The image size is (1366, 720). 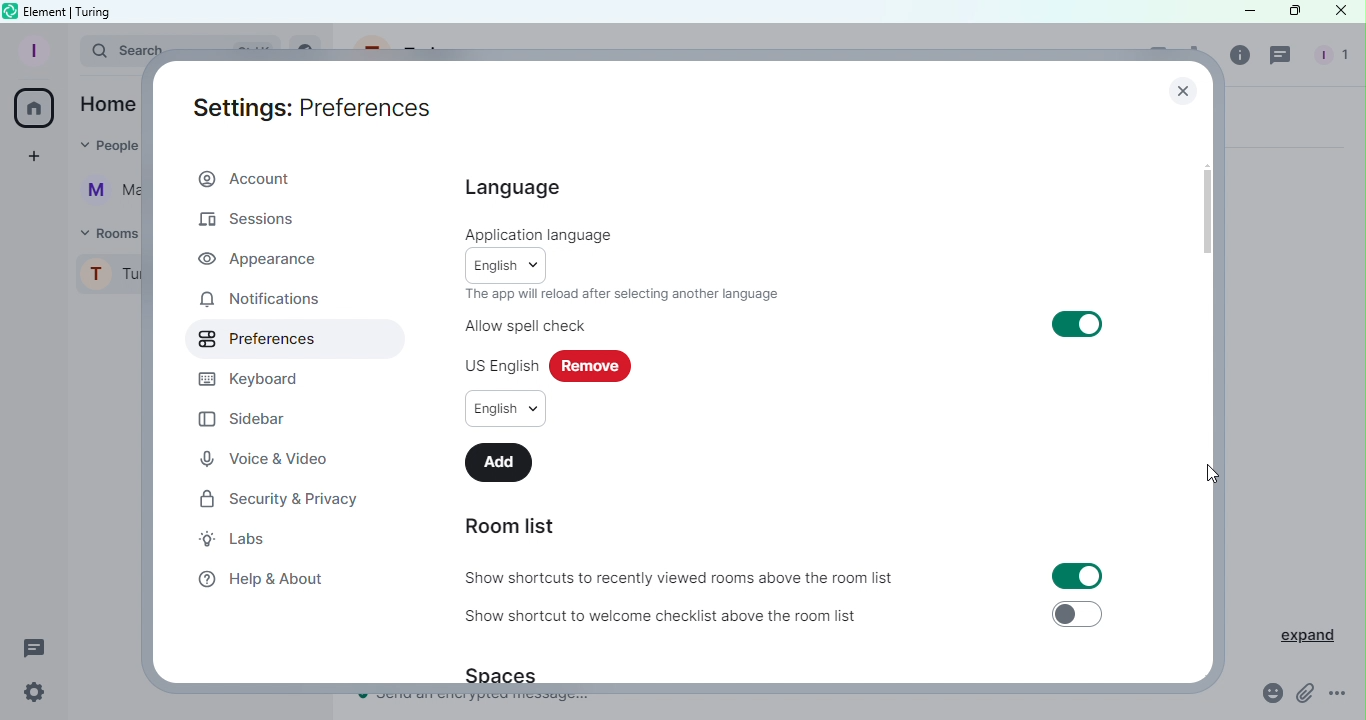 I want to click on Element icon, so click(x=9, y=11).